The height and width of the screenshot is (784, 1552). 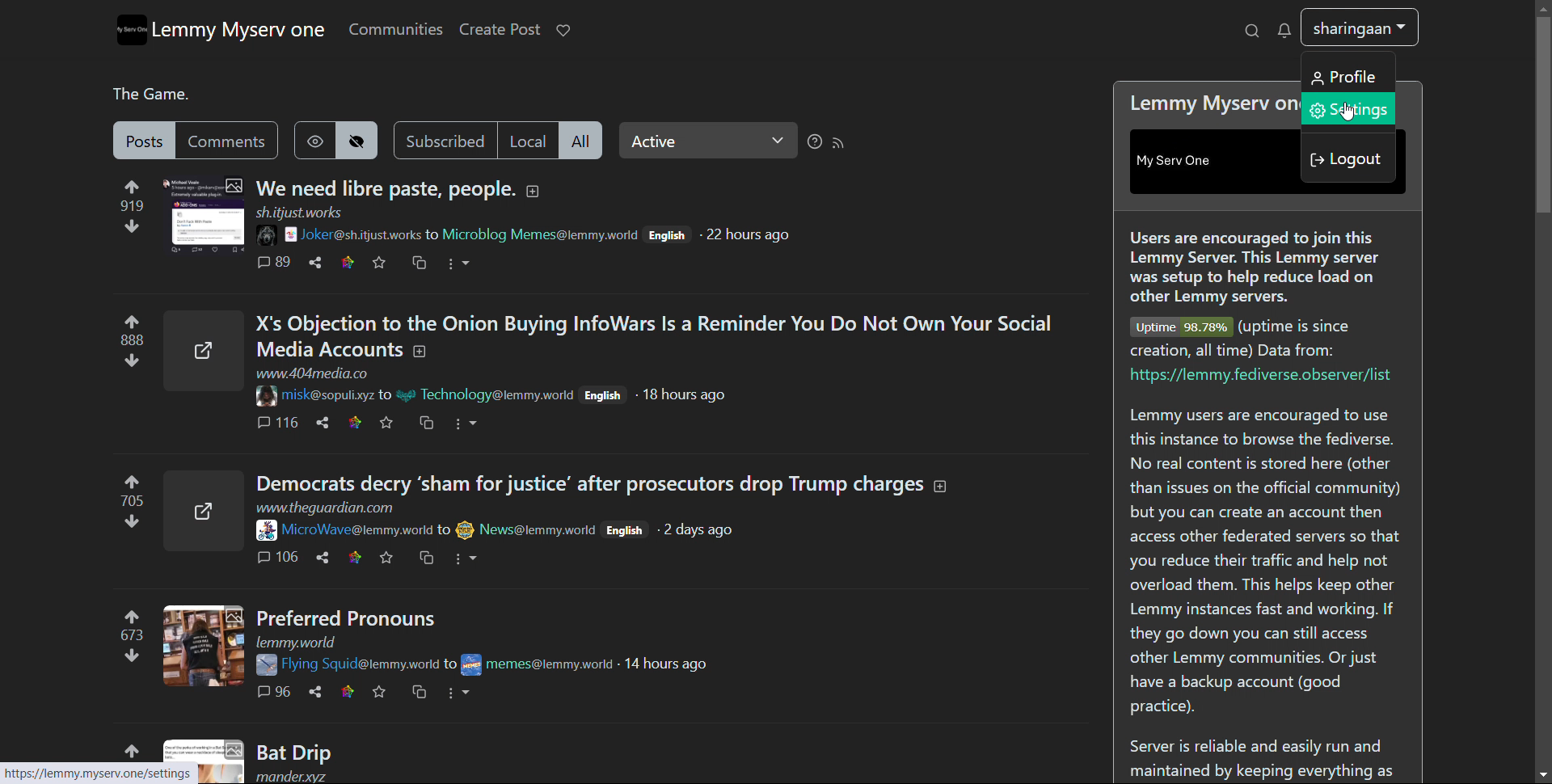 What do you see at coordinates (328, 422) in the screenshot?
I see `share` at bounding box center [328, 422].